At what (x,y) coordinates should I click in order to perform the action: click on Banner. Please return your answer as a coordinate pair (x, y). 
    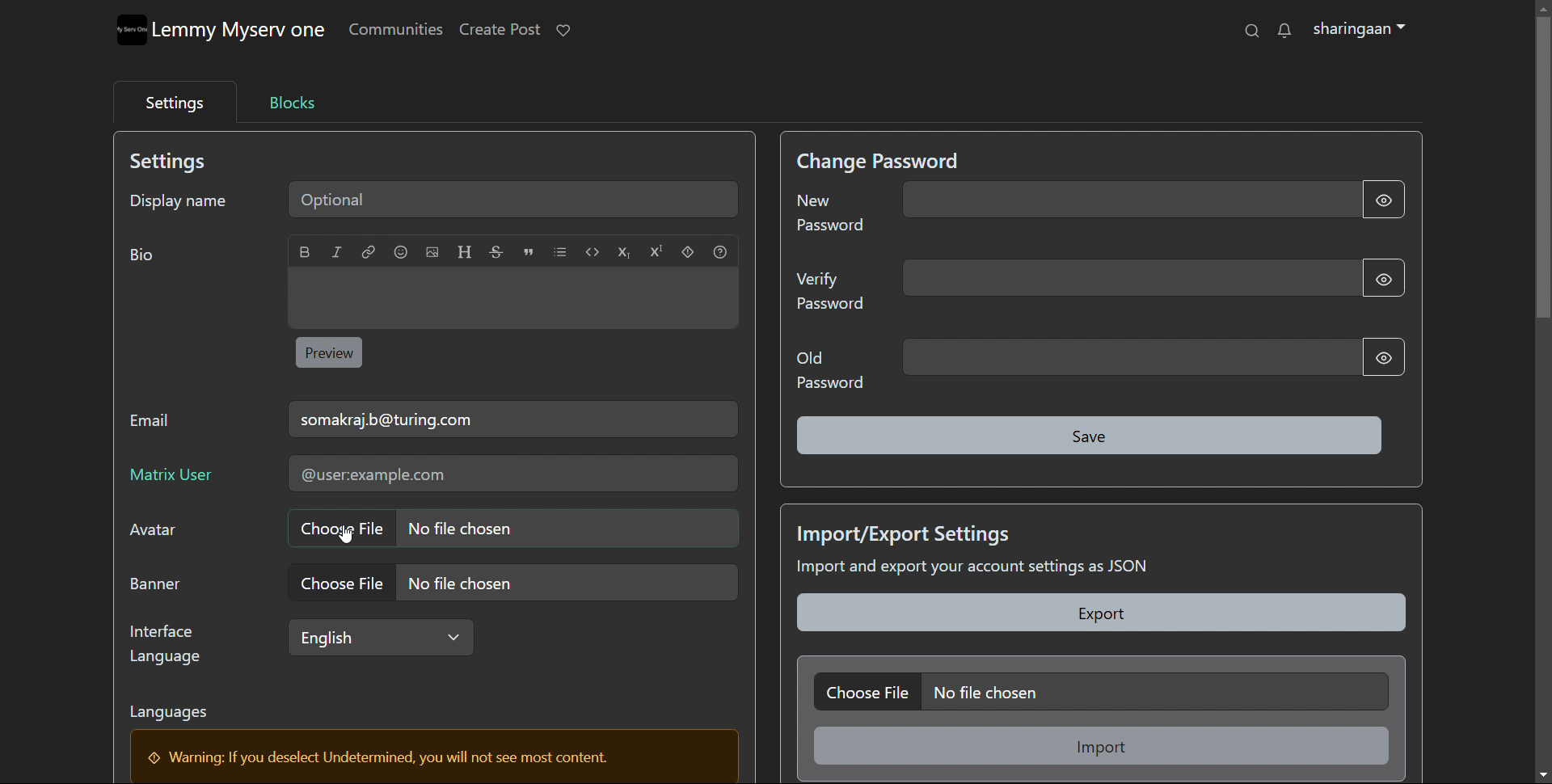
    Looking at the image, I should click on (163, 585).